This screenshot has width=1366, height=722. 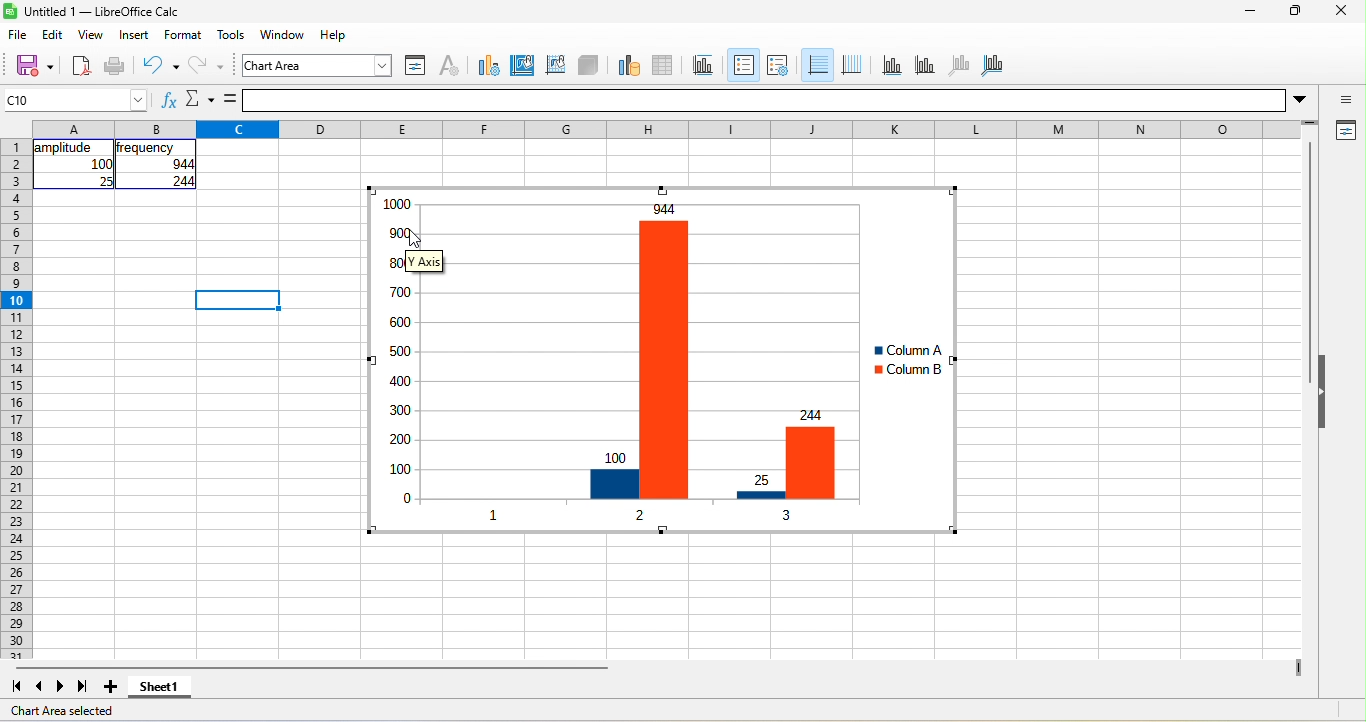 What do you see at coordinates (636, 362) in the screenshot?
I see `chart` at bounding box center [636, 362].